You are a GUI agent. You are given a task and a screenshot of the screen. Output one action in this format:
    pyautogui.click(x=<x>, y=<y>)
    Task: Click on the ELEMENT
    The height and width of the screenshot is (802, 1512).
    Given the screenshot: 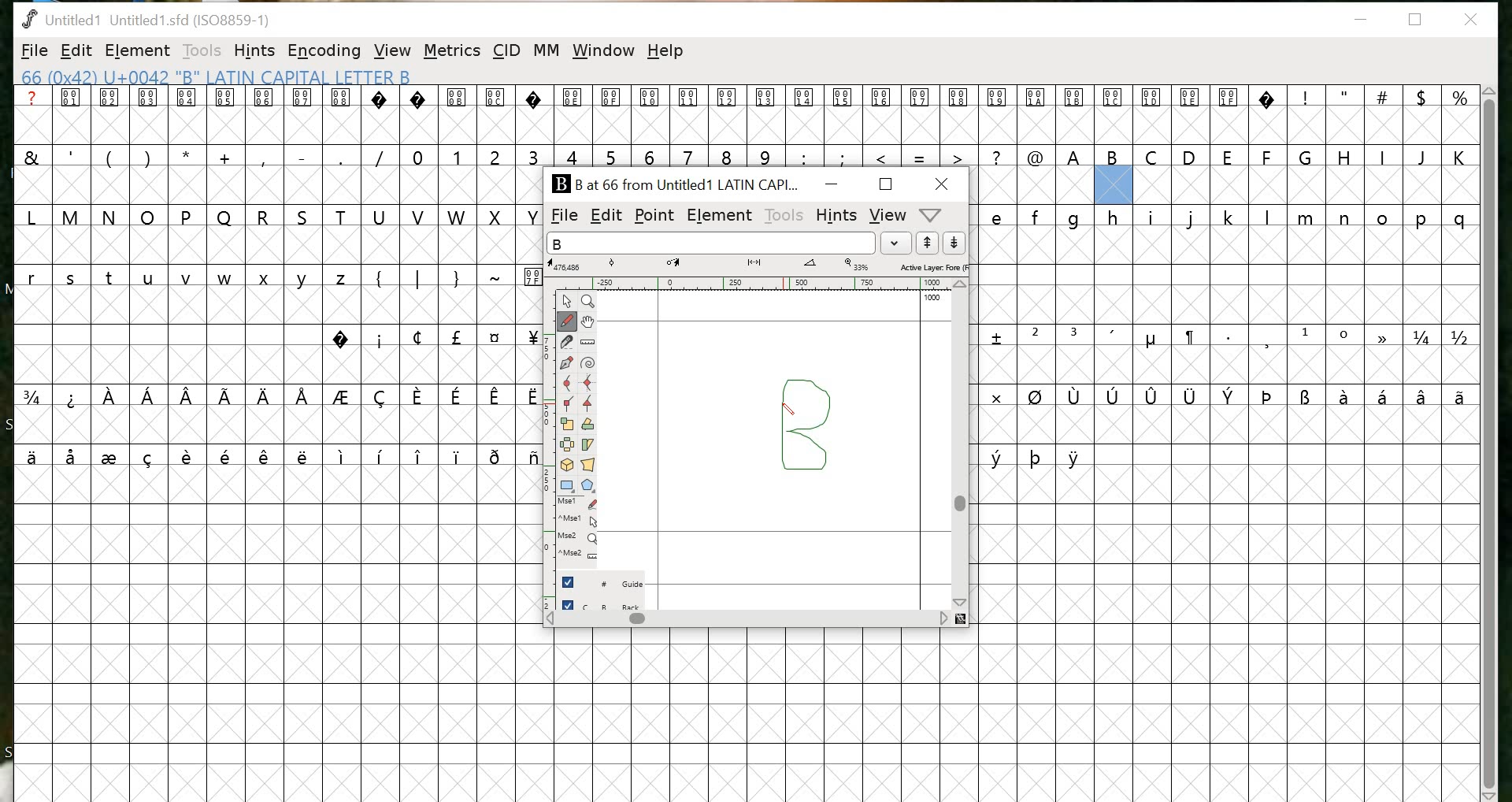 What is the action you would take?
    pyautogui.click(x=719, y=216)
    